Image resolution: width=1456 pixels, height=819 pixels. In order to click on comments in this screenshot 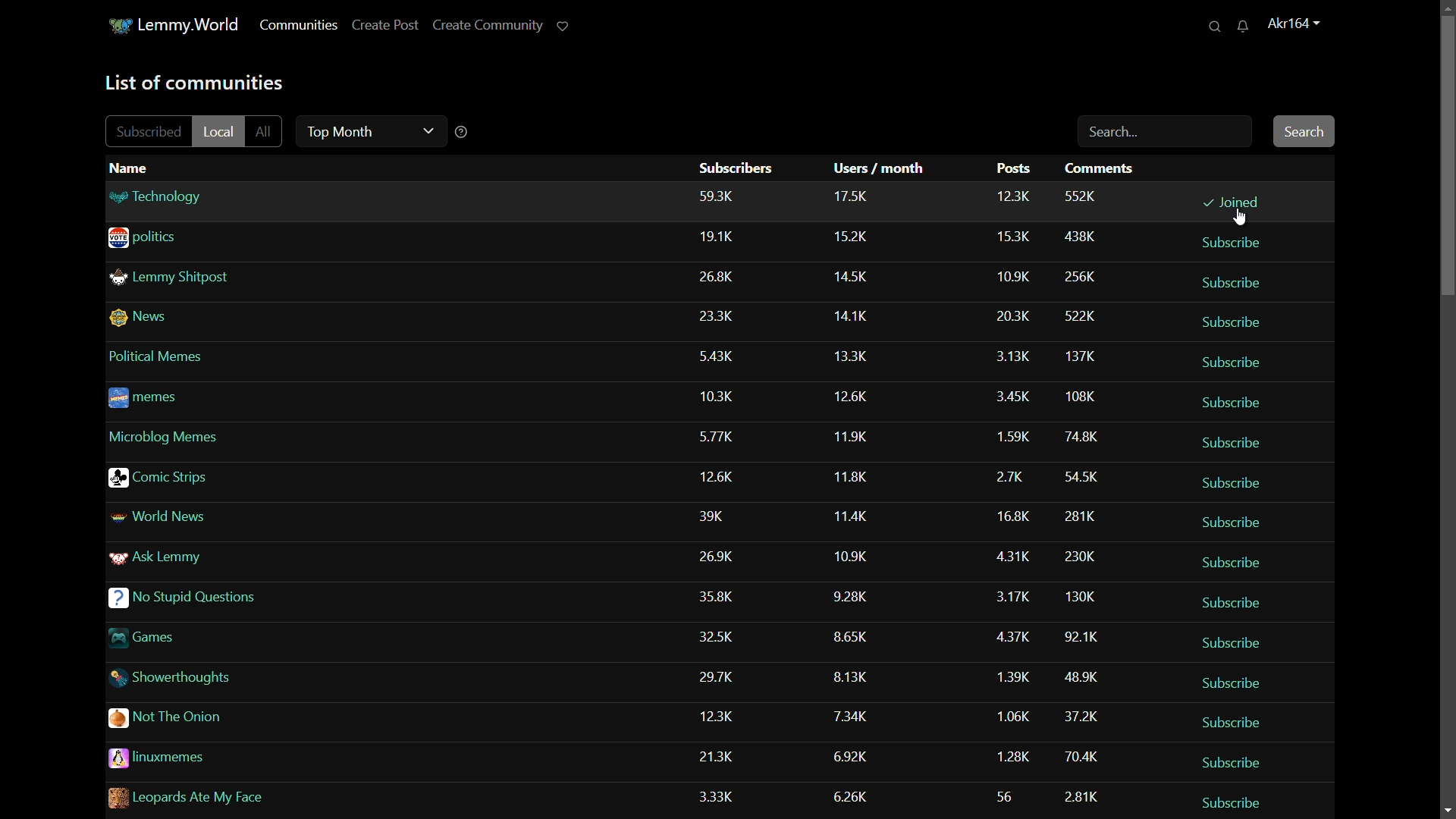, I will do `click(1078, 276)`.